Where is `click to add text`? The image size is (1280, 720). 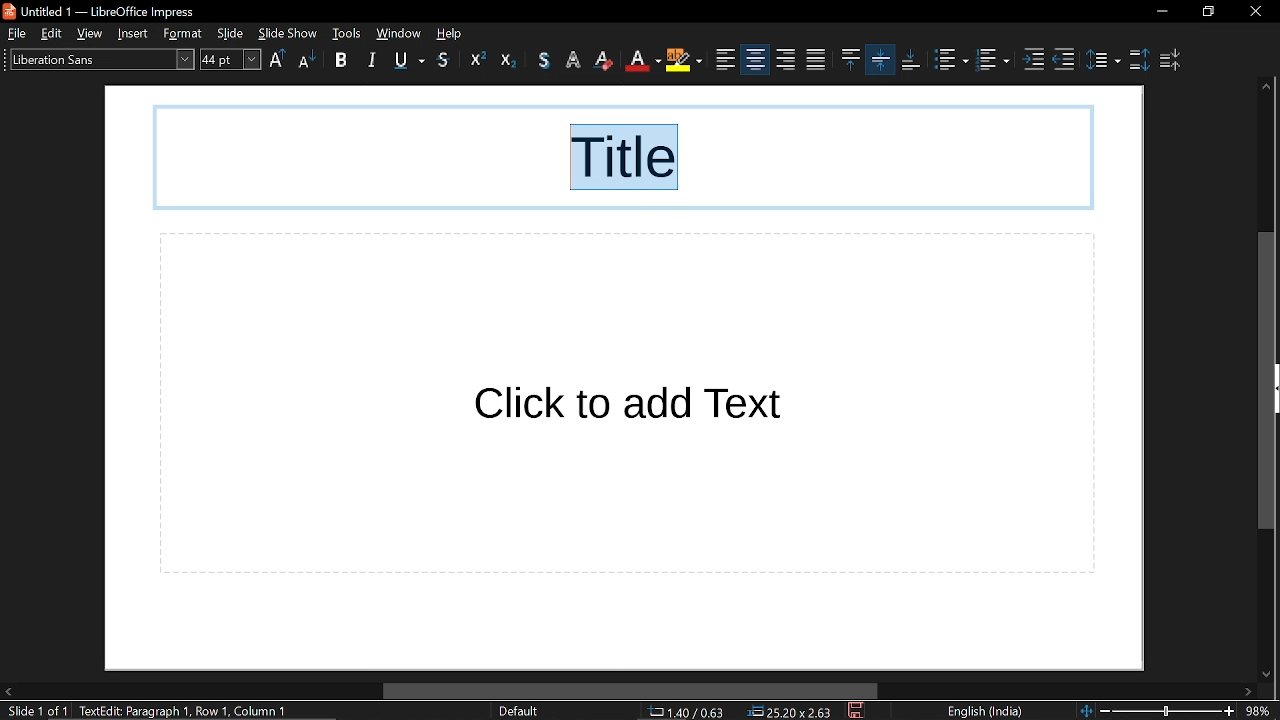 click to add text is located at coordinates (627, 404).